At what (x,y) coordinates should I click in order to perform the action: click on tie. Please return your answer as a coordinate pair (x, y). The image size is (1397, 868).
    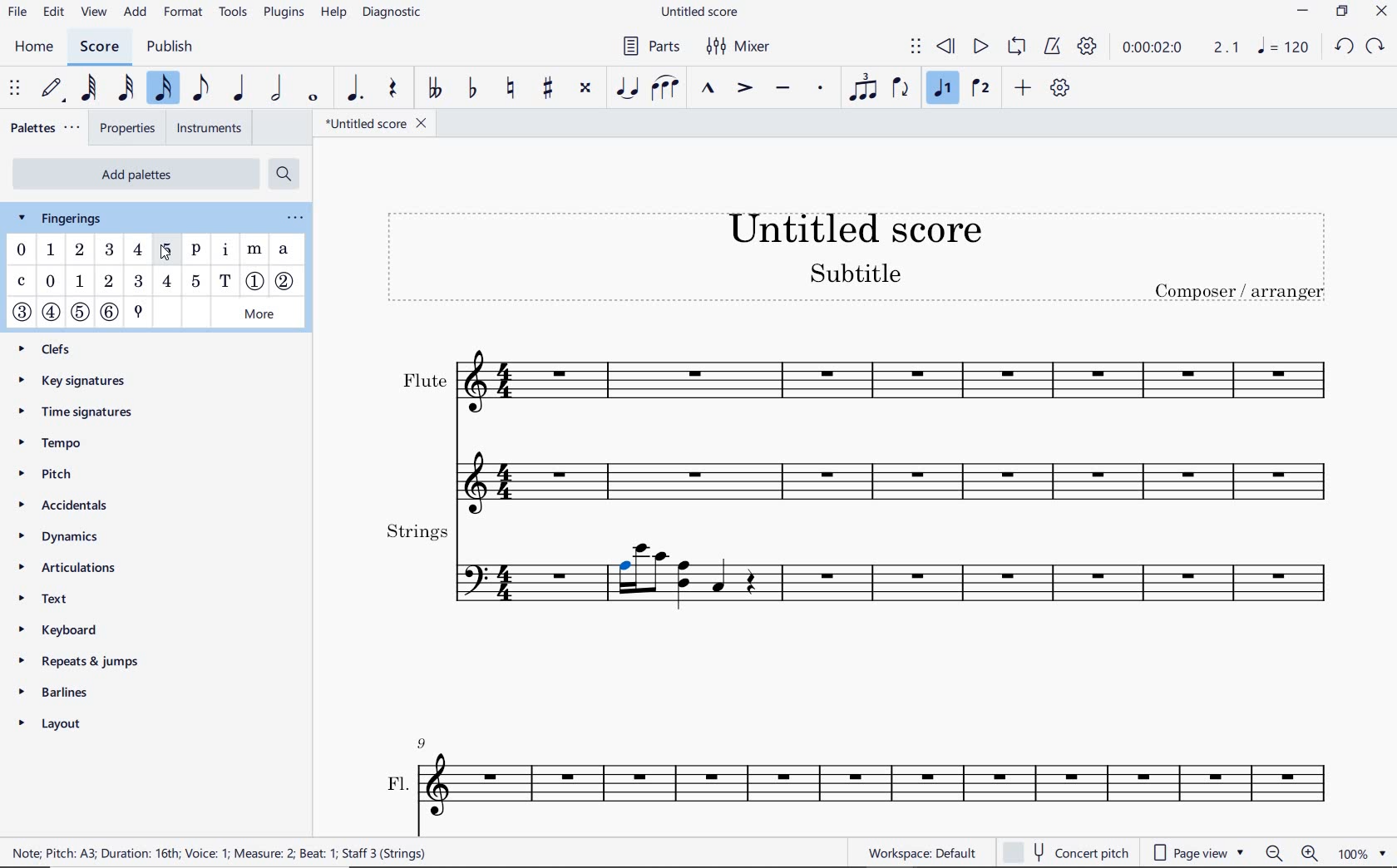
    Looking at the image, I should click on (625, 89).